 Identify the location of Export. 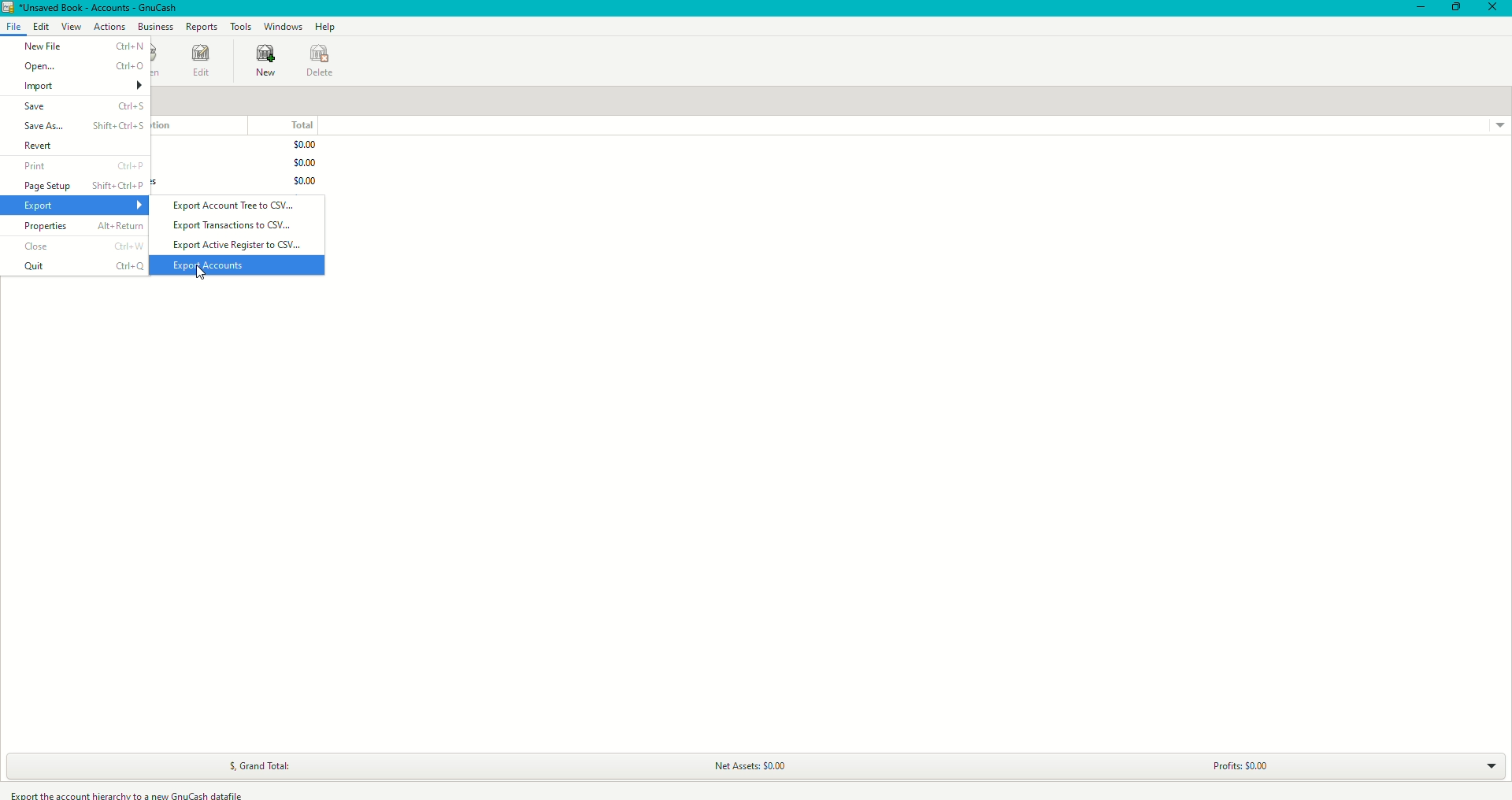
(85, 206).